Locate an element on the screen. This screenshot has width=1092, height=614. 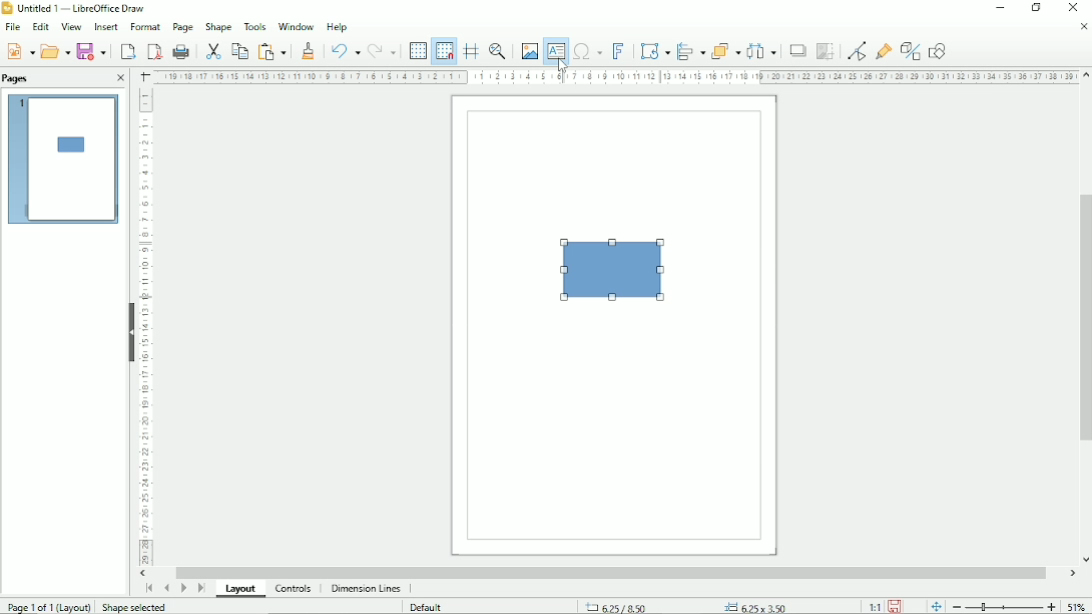
Horizontal scale is located at coordinates (617, 77).